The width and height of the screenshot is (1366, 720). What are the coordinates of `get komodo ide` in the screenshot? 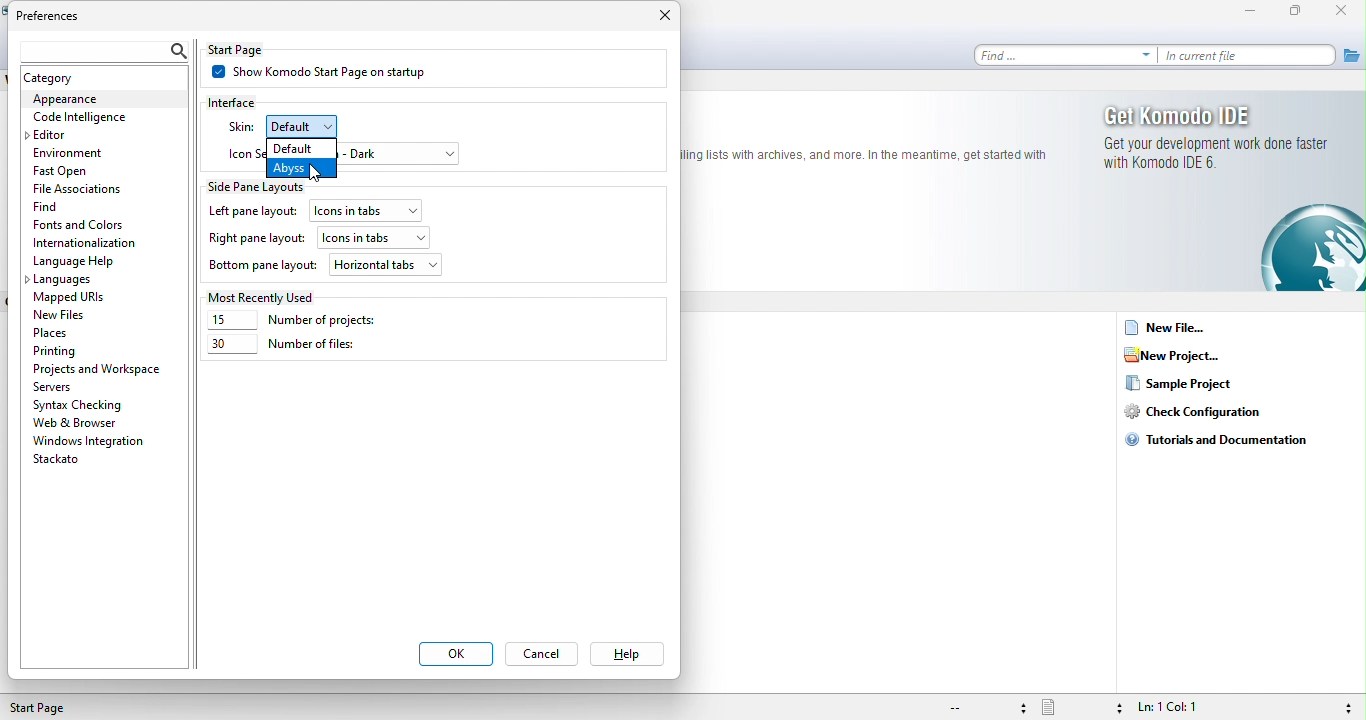 It's located at (1220, 115).